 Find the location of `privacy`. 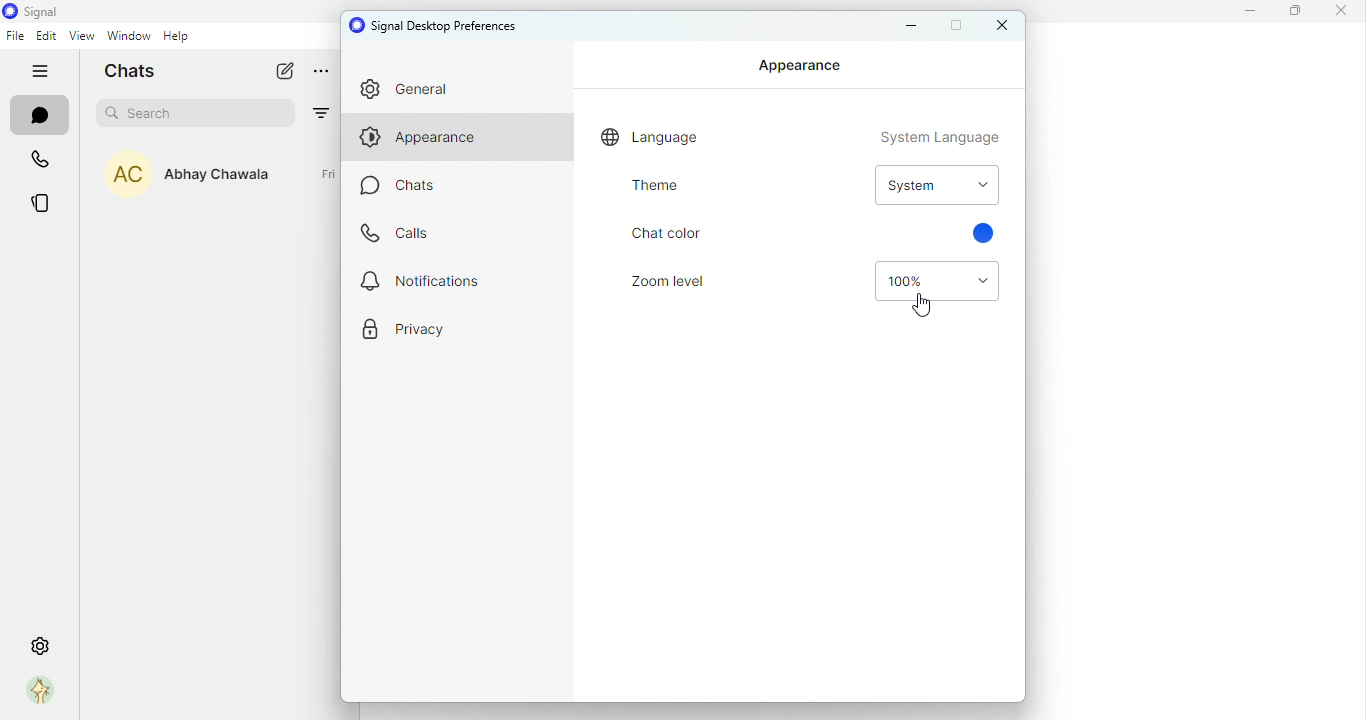

privacy is located at coordinates (404, 336).